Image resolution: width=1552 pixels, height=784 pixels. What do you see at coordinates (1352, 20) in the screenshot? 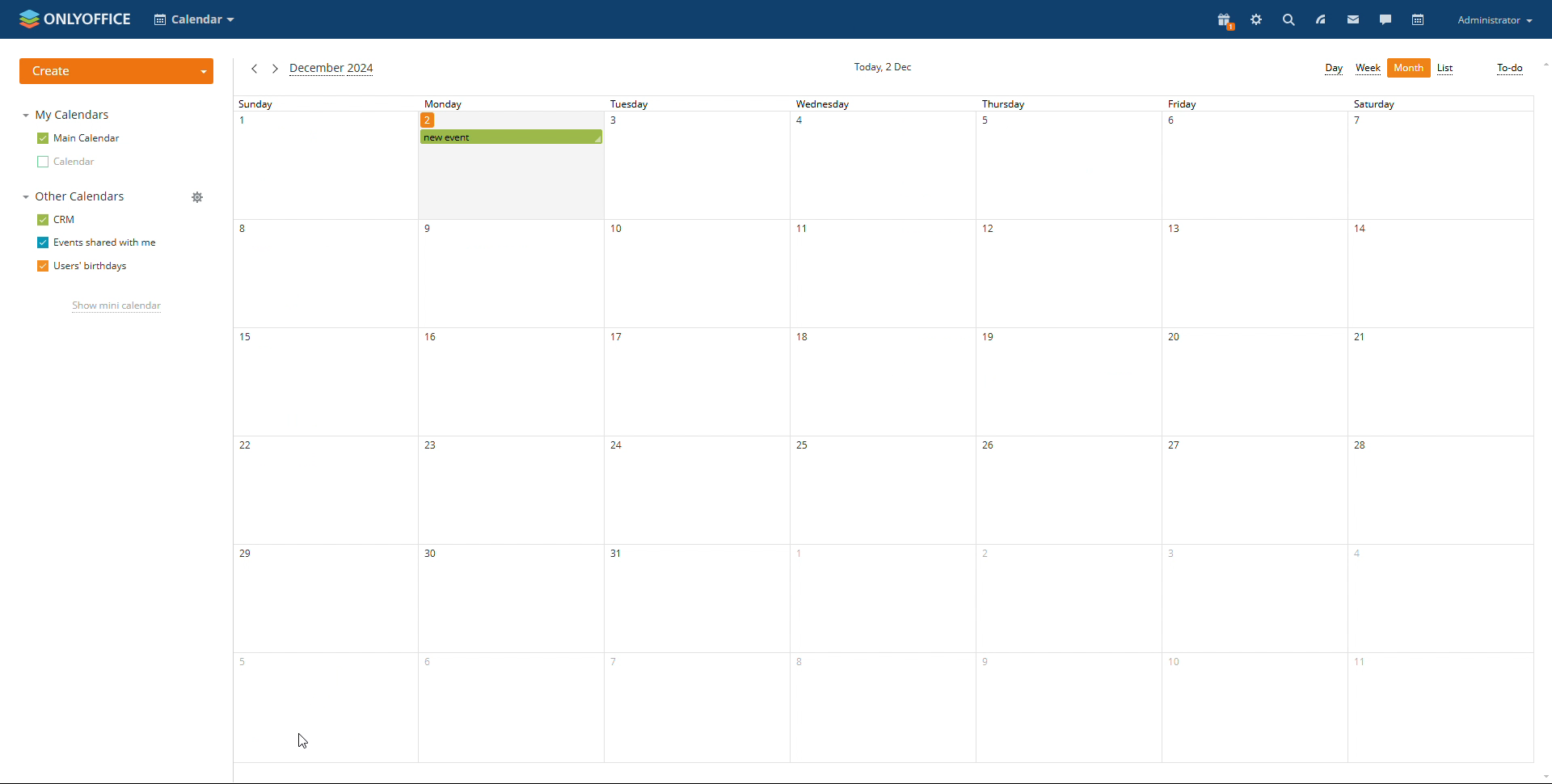
I see `mail` at bounding box center [1352, 20].